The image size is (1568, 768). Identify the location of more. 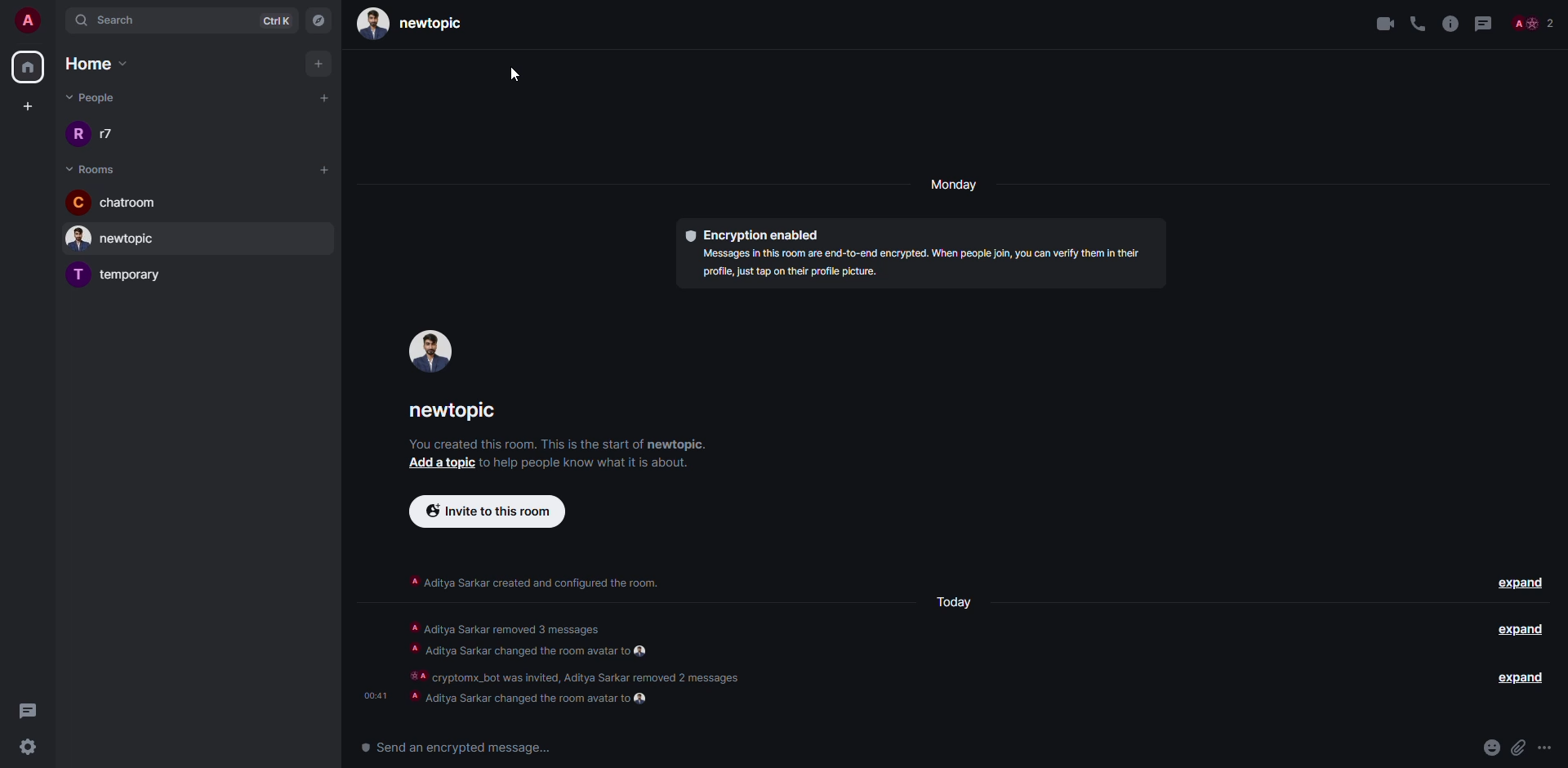
(1546, 747).